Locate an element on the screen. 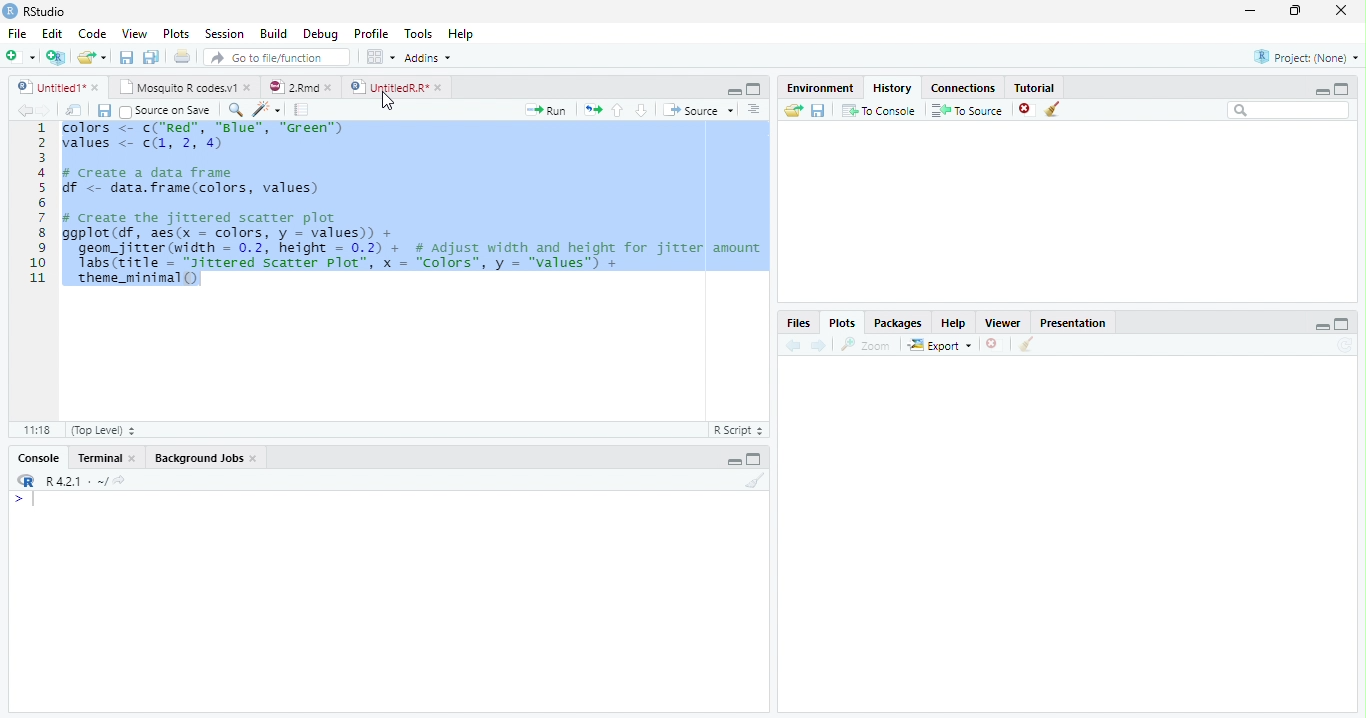 The height and width of the screenshot is (718, 1366). Background Jobs is located at coordinates (198, 457).